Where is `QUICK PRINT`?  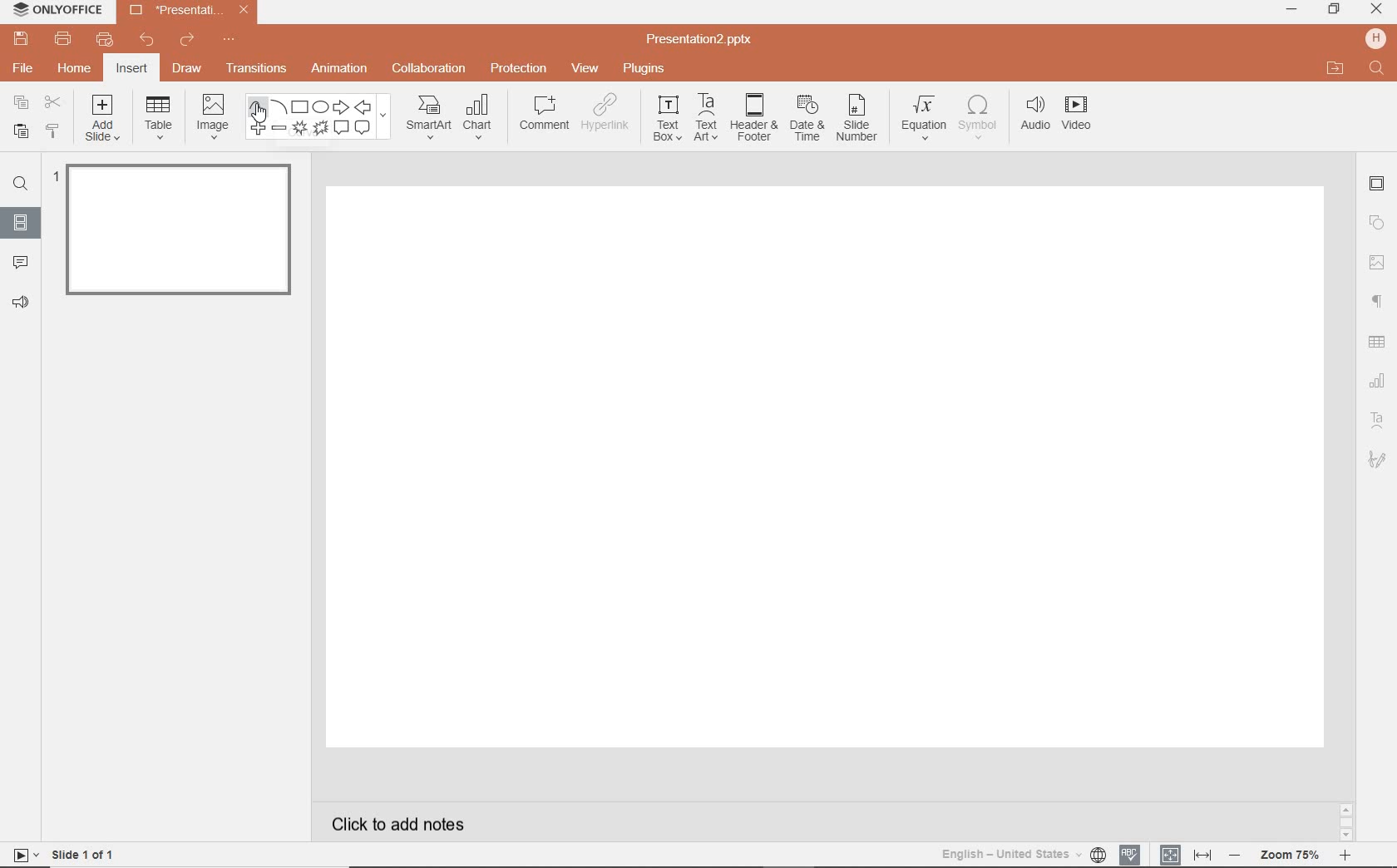
QUICK PRINT is located at coordinates (103, 40).